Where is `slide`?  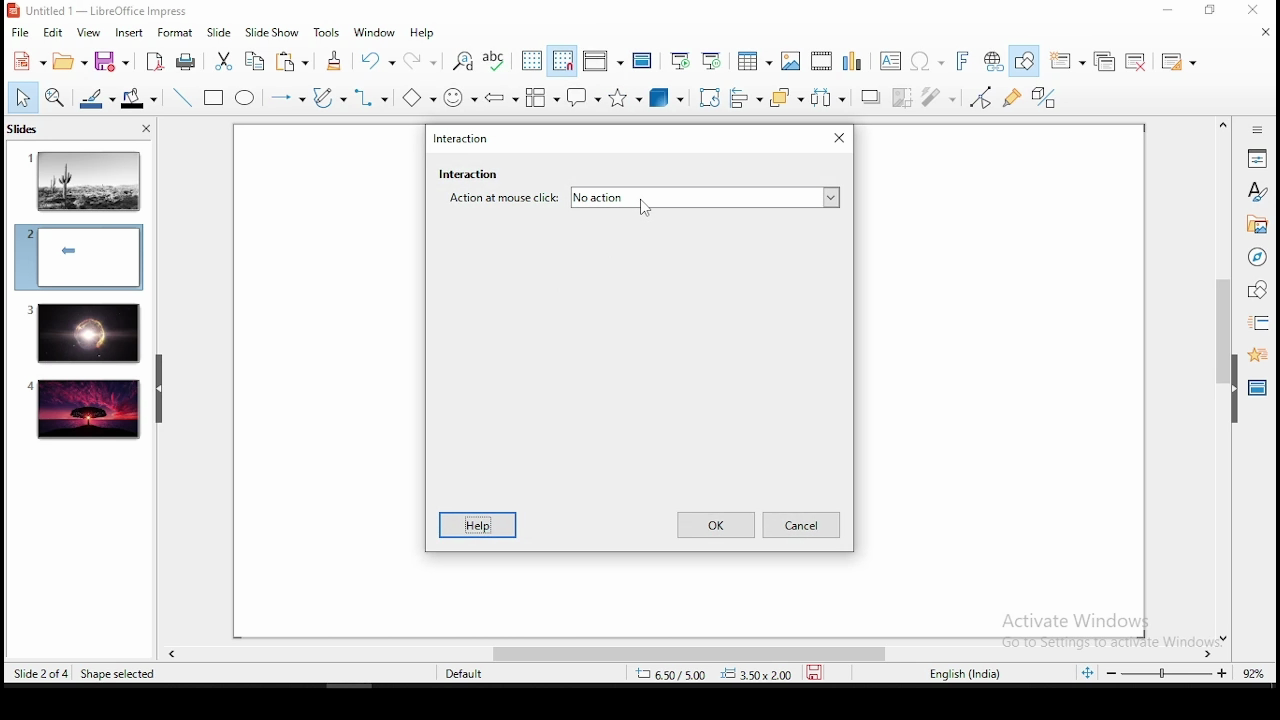 slide is located at coordinates (82, 333).